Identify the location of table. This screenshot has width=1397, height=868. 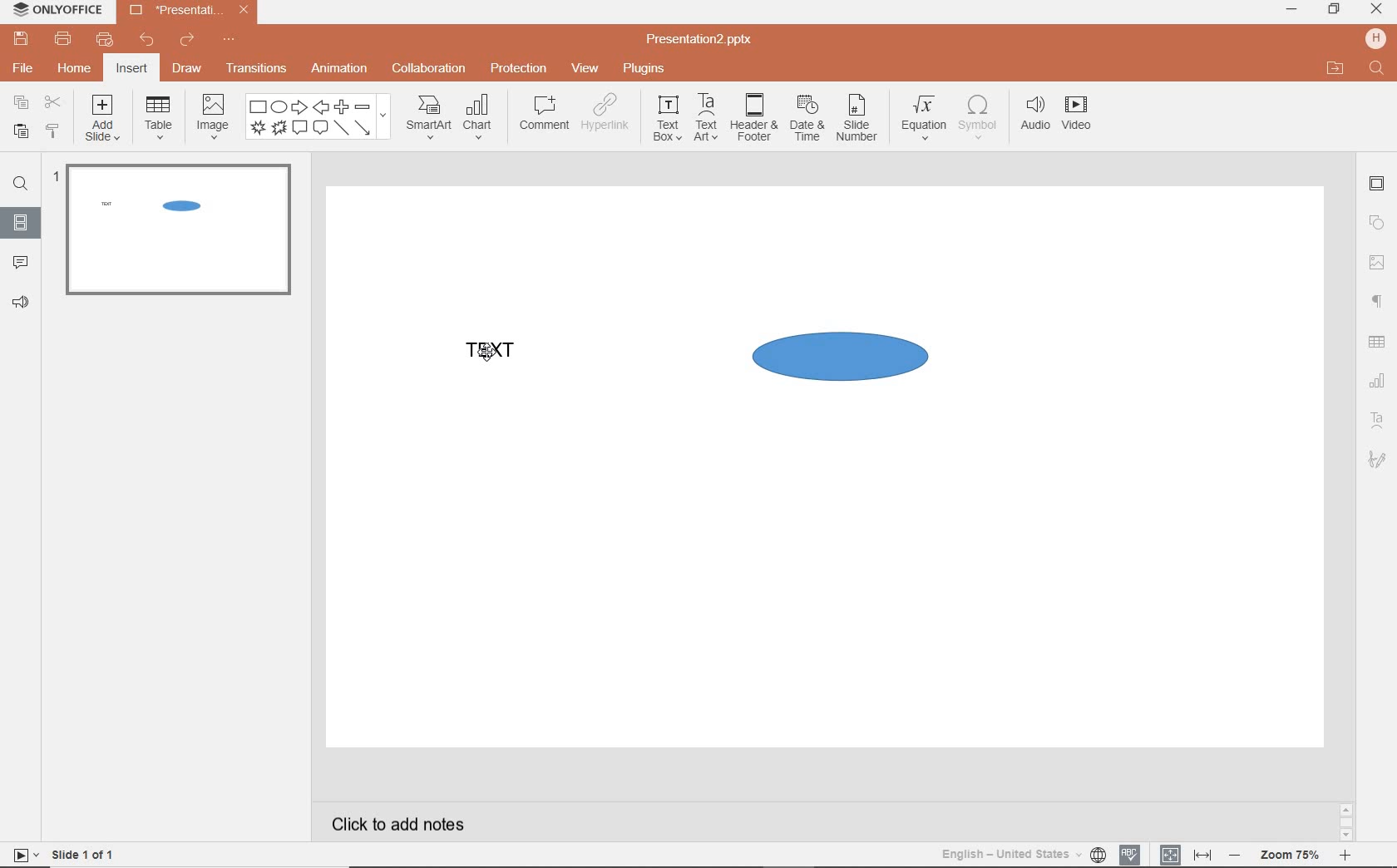
(156, 118).